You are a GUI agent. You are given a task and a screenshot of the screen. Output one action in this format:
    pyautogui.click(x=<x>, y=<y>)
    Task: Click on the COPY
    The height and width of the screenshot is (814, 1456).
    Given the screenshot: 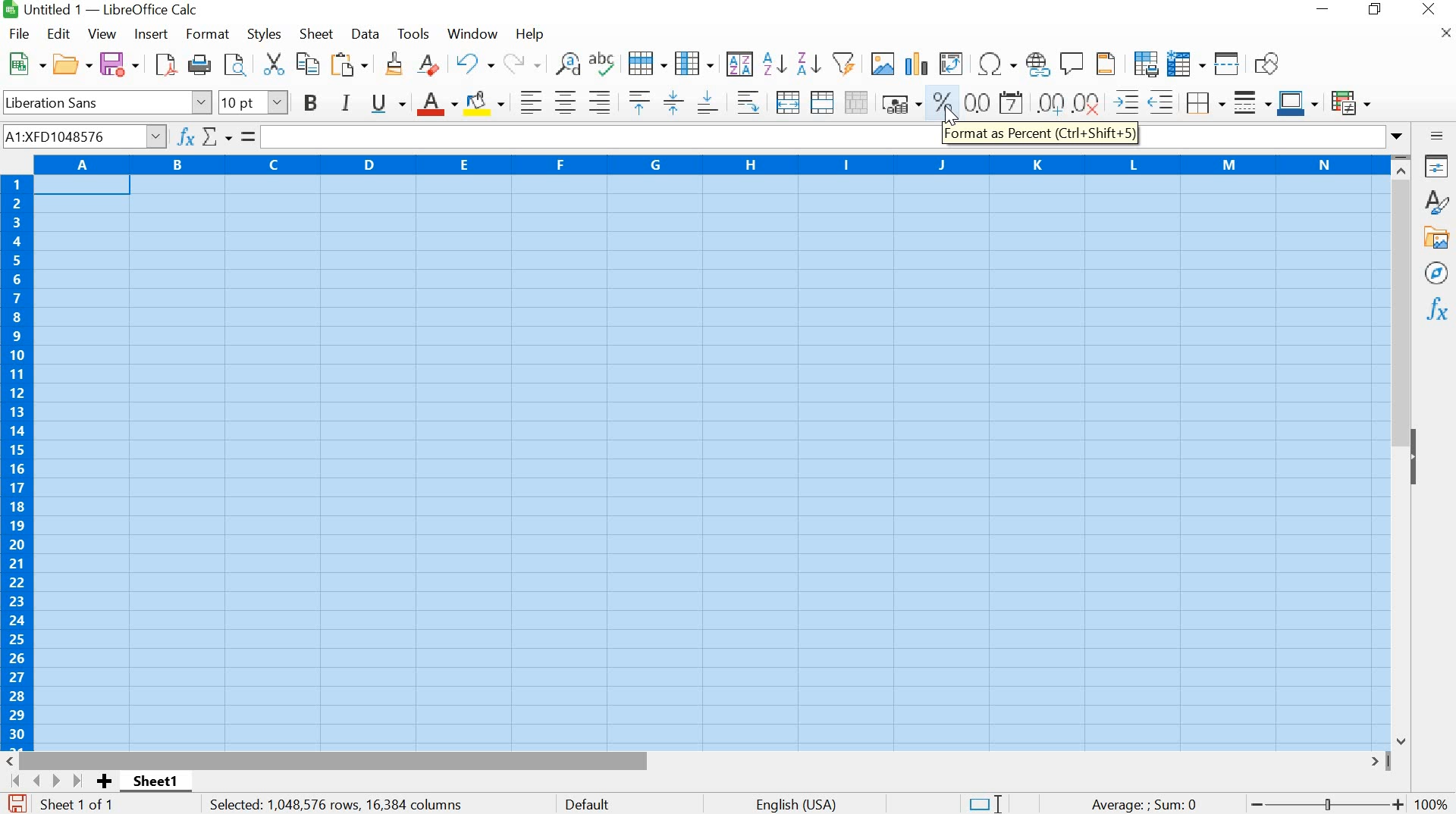 What is the action you would take?
    pyautogui.click(x=306, y=64)
    